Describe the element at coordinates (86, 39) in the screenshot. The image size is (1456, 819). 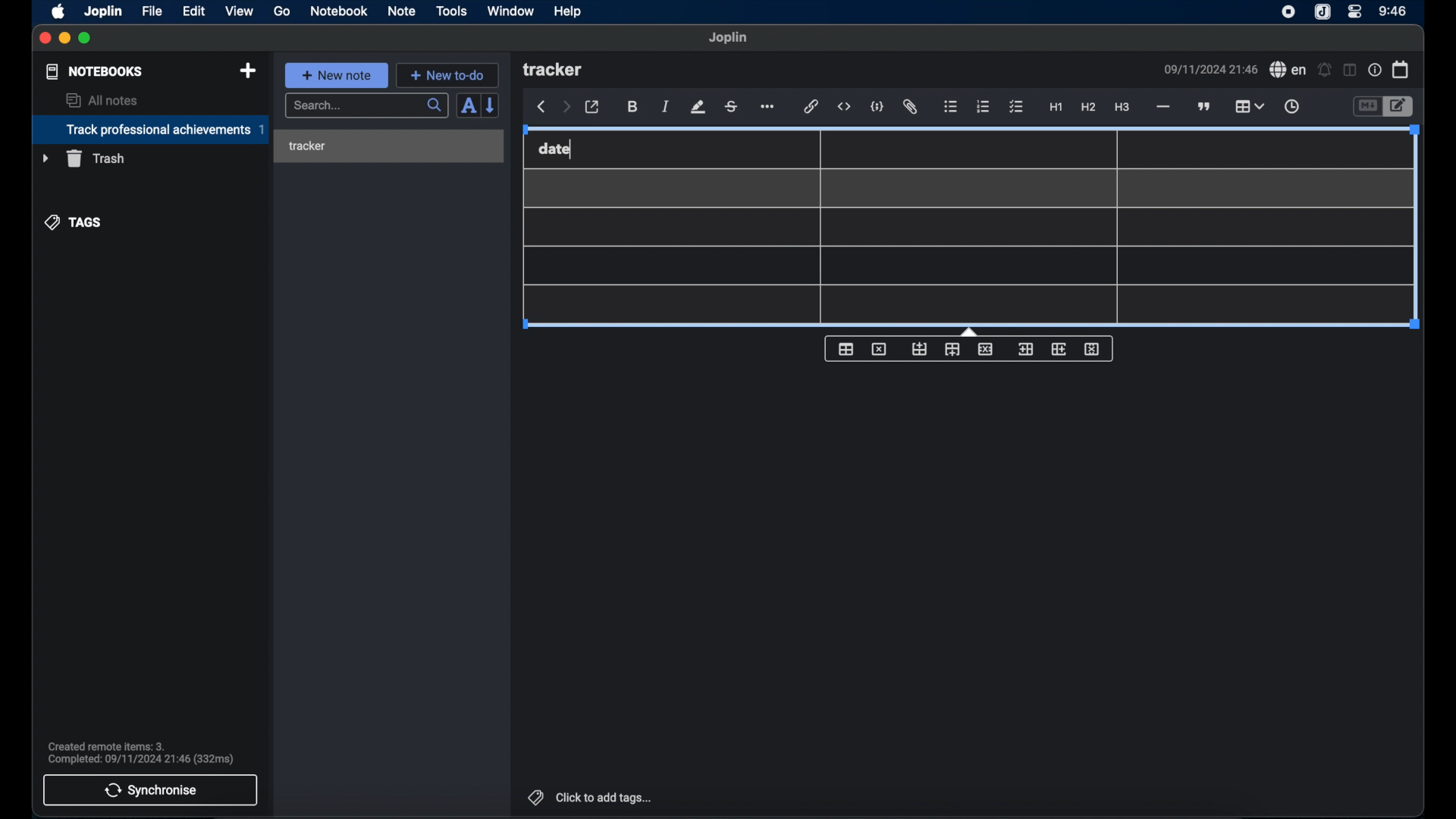
I see `maximize` at that location.